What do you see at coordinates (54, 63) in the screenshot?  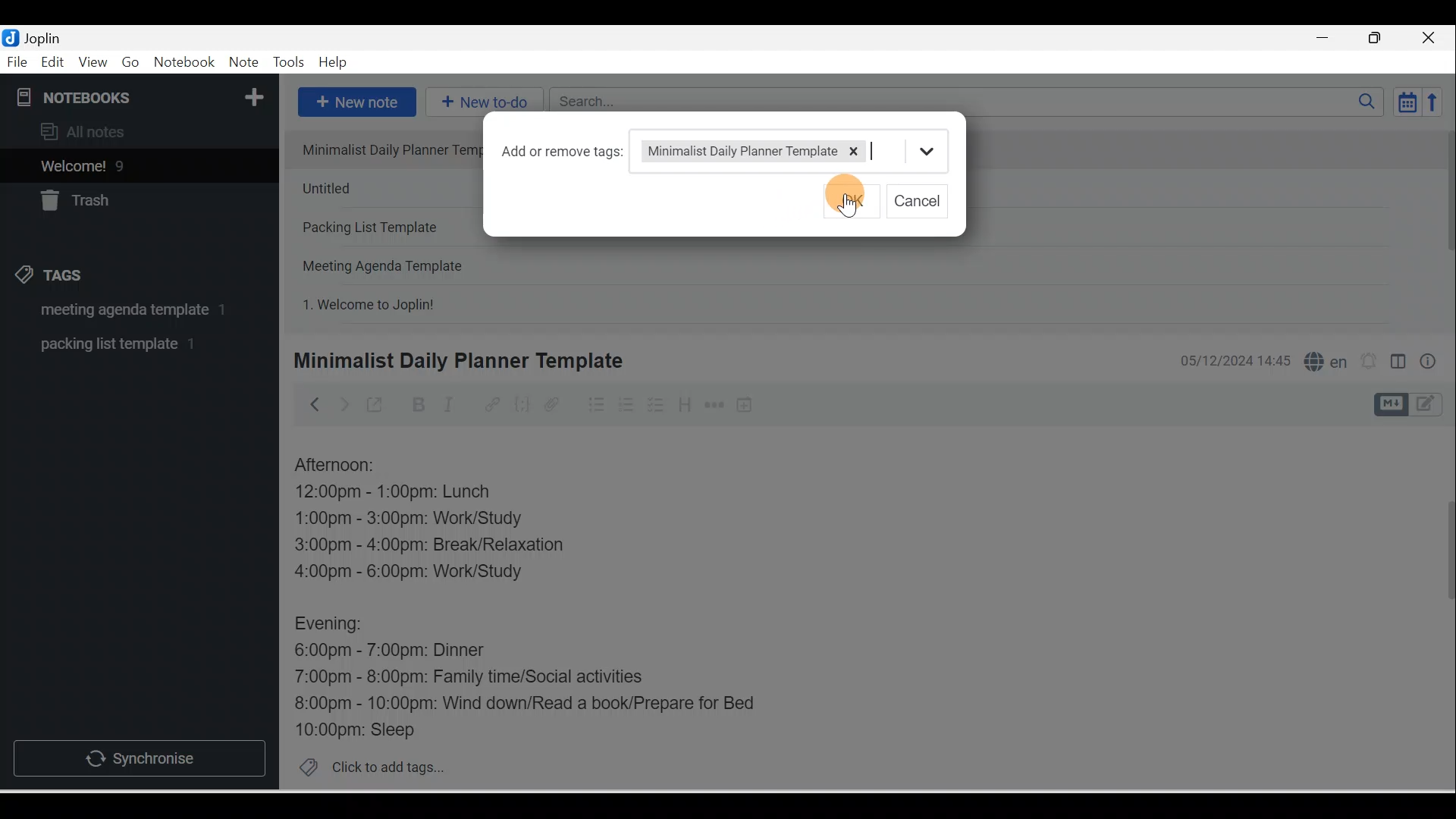 I see `Edit` at bounding box center [54, 63].